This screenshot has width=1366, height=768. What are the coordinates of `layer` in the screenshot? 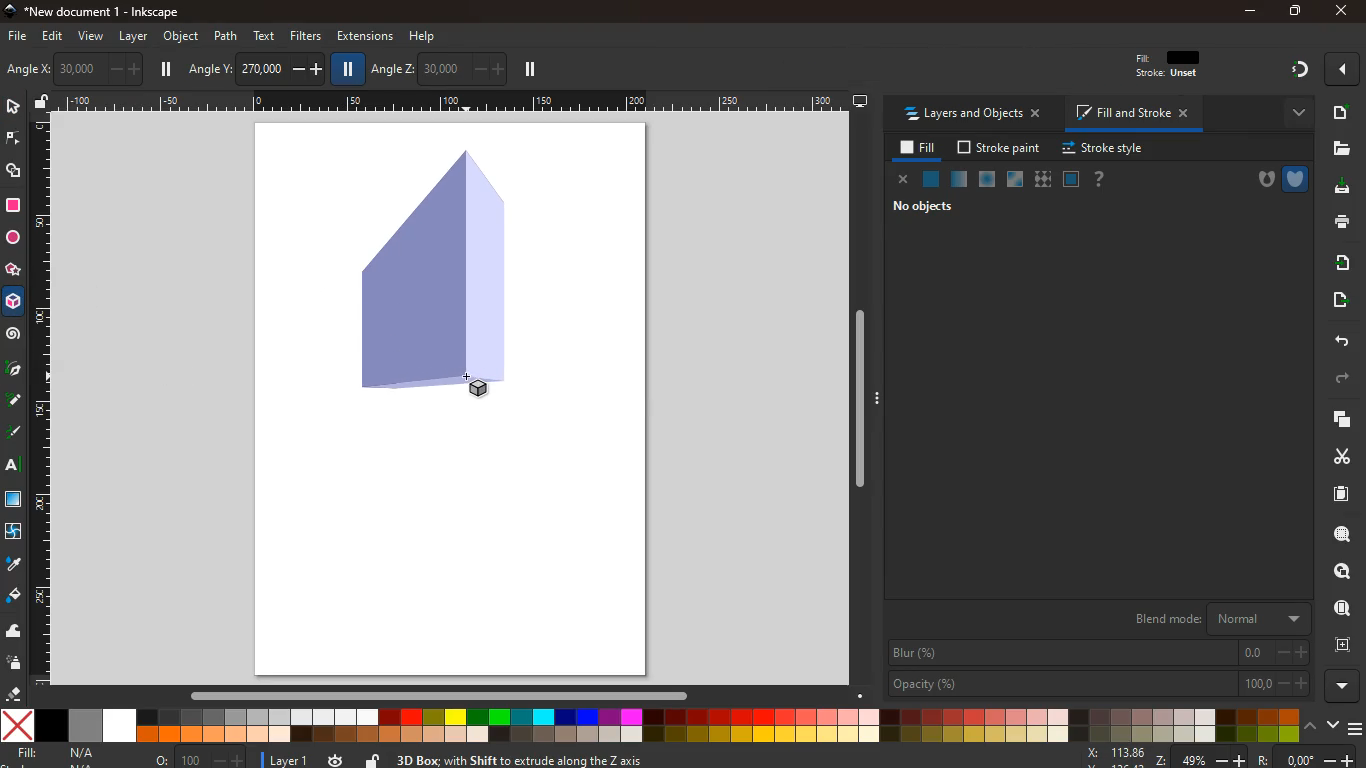 It's located at (133, 36).